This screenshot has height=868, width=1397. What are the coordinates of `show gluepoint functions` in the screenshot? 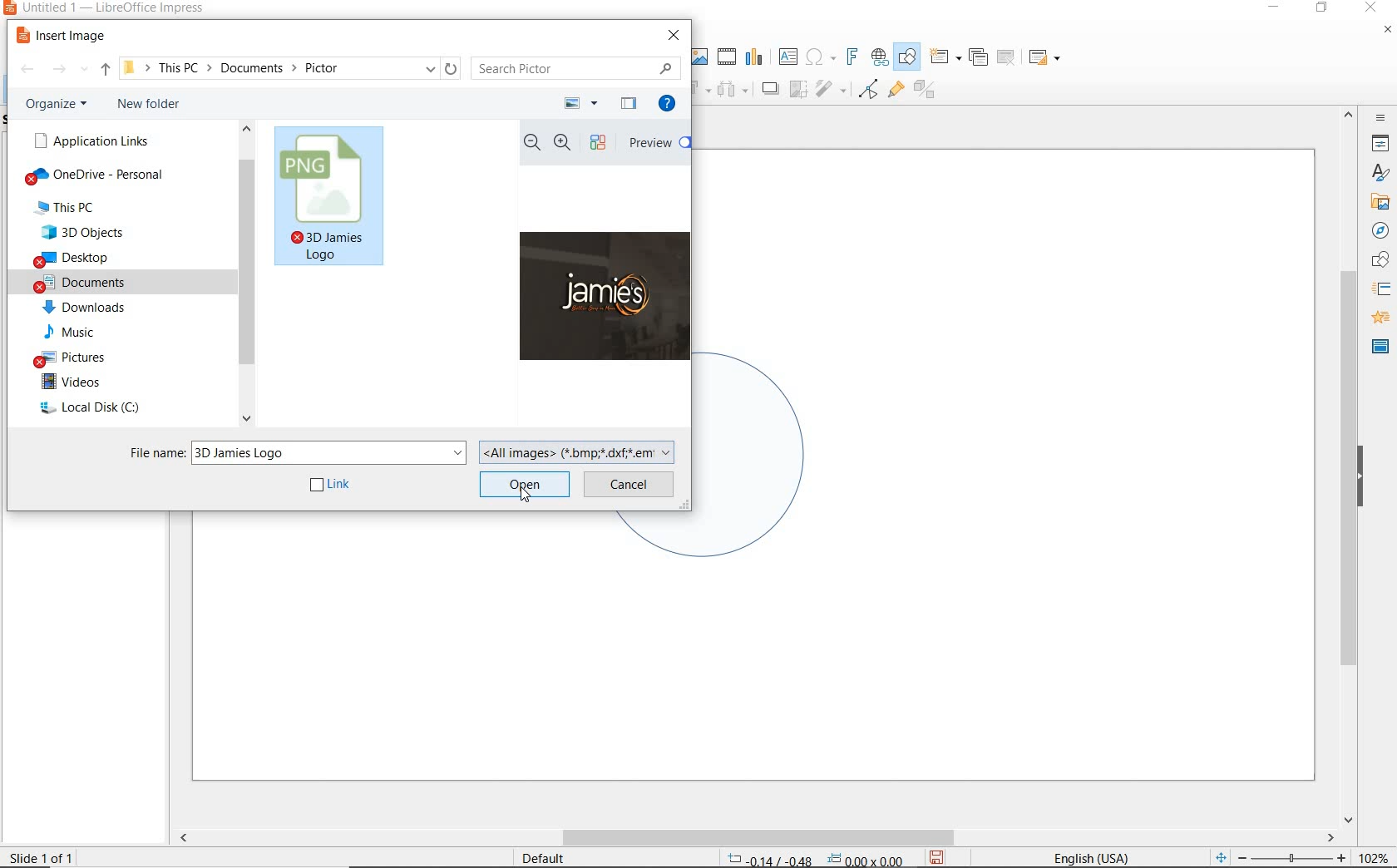 It's located at (892, 91).